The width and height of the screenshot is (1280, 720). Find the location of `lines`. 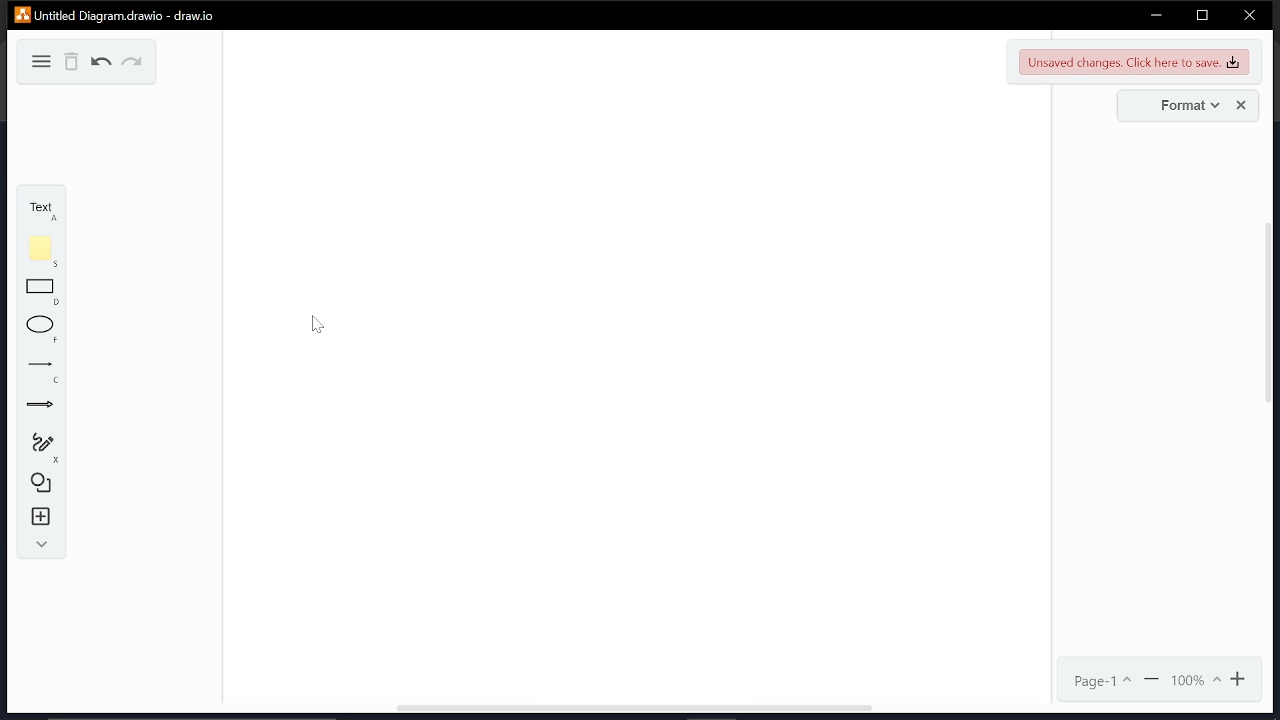

lines is located at coordinates (44, 372).